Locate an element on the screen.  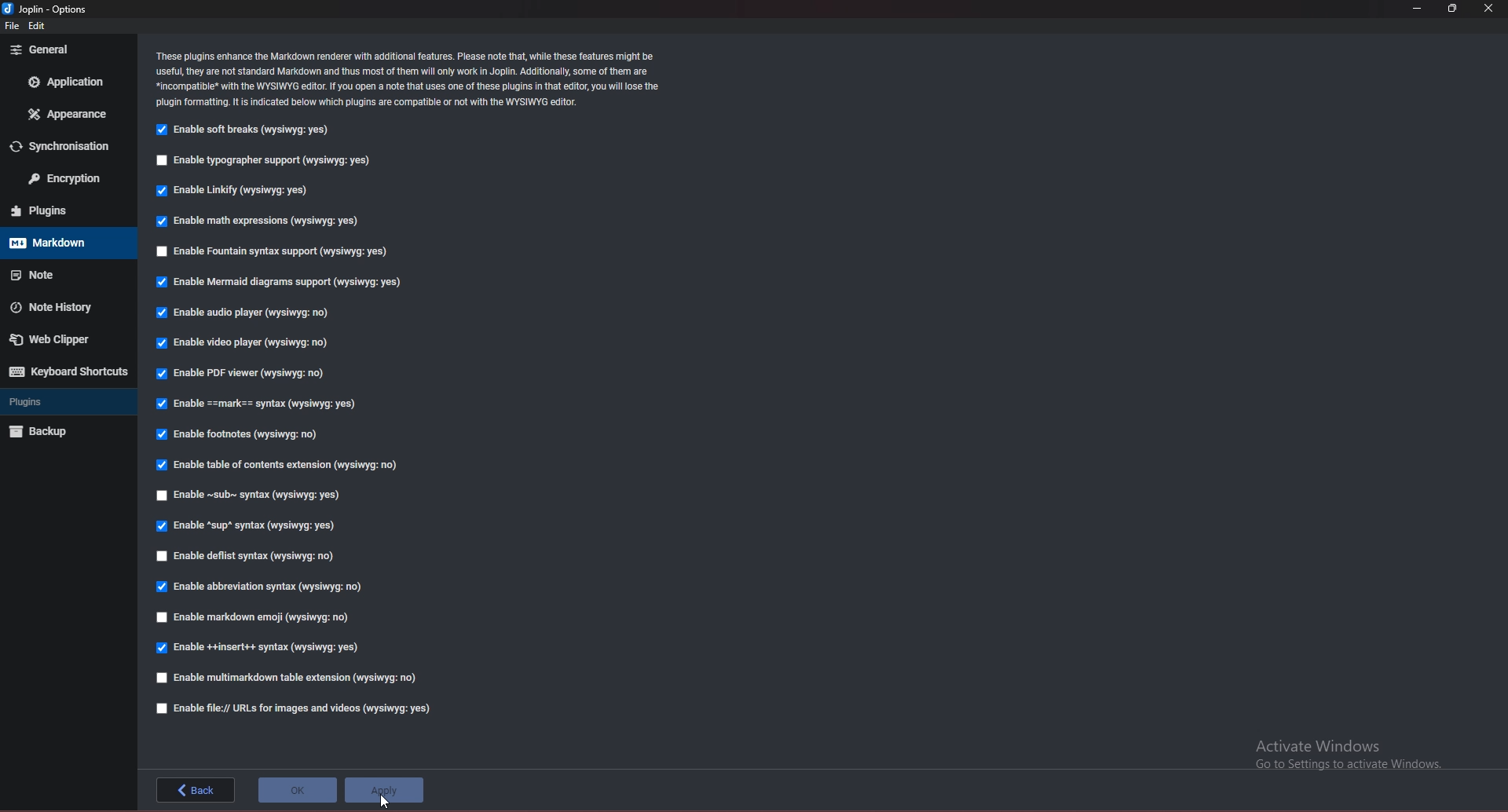
cursor is located at coordinates (388, 804).